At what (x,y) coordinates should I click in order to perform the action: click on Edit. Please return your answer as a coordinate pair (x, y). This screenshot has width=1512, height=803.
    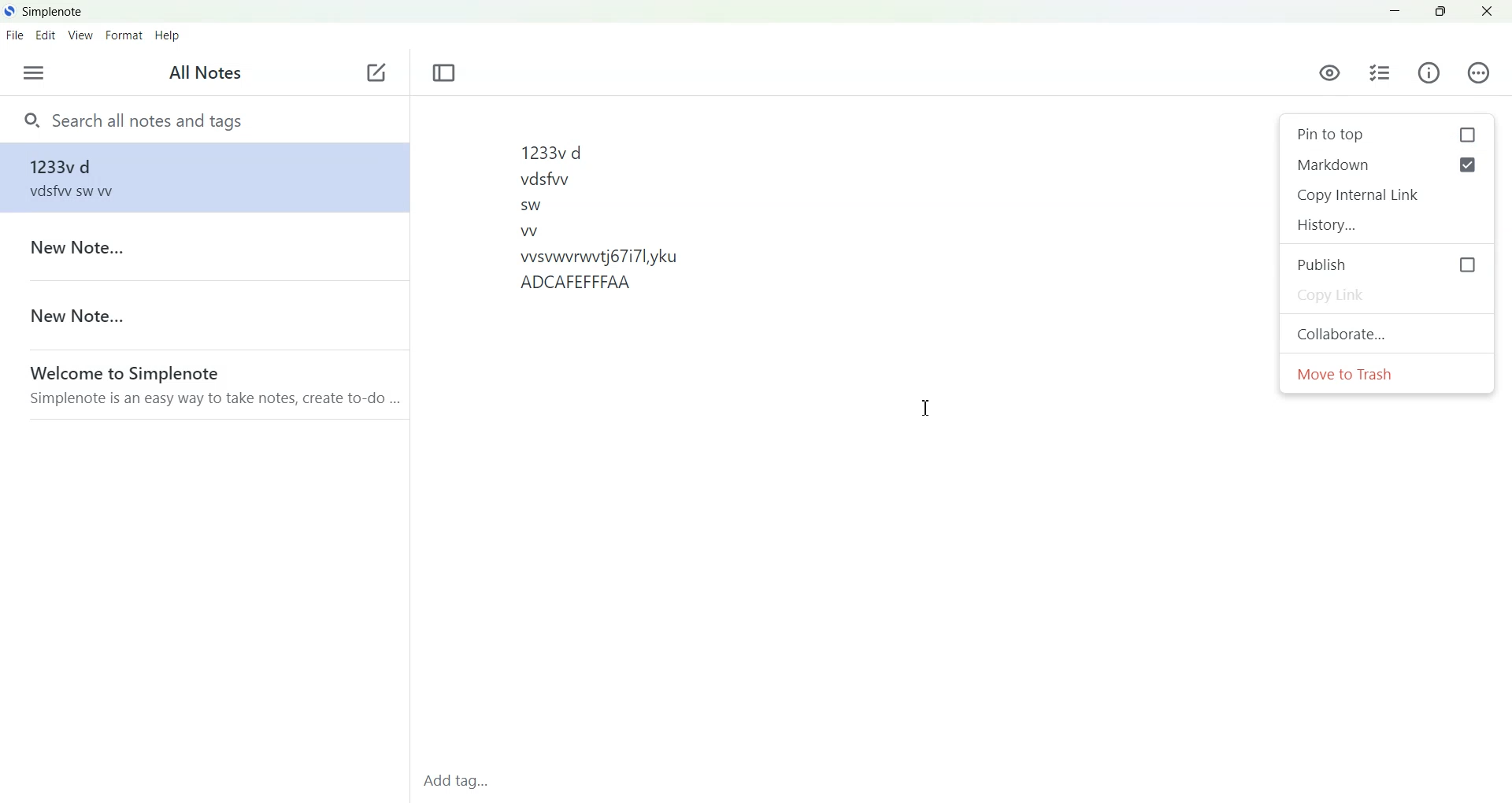
    Looking at the image, I should click on (46, 35).